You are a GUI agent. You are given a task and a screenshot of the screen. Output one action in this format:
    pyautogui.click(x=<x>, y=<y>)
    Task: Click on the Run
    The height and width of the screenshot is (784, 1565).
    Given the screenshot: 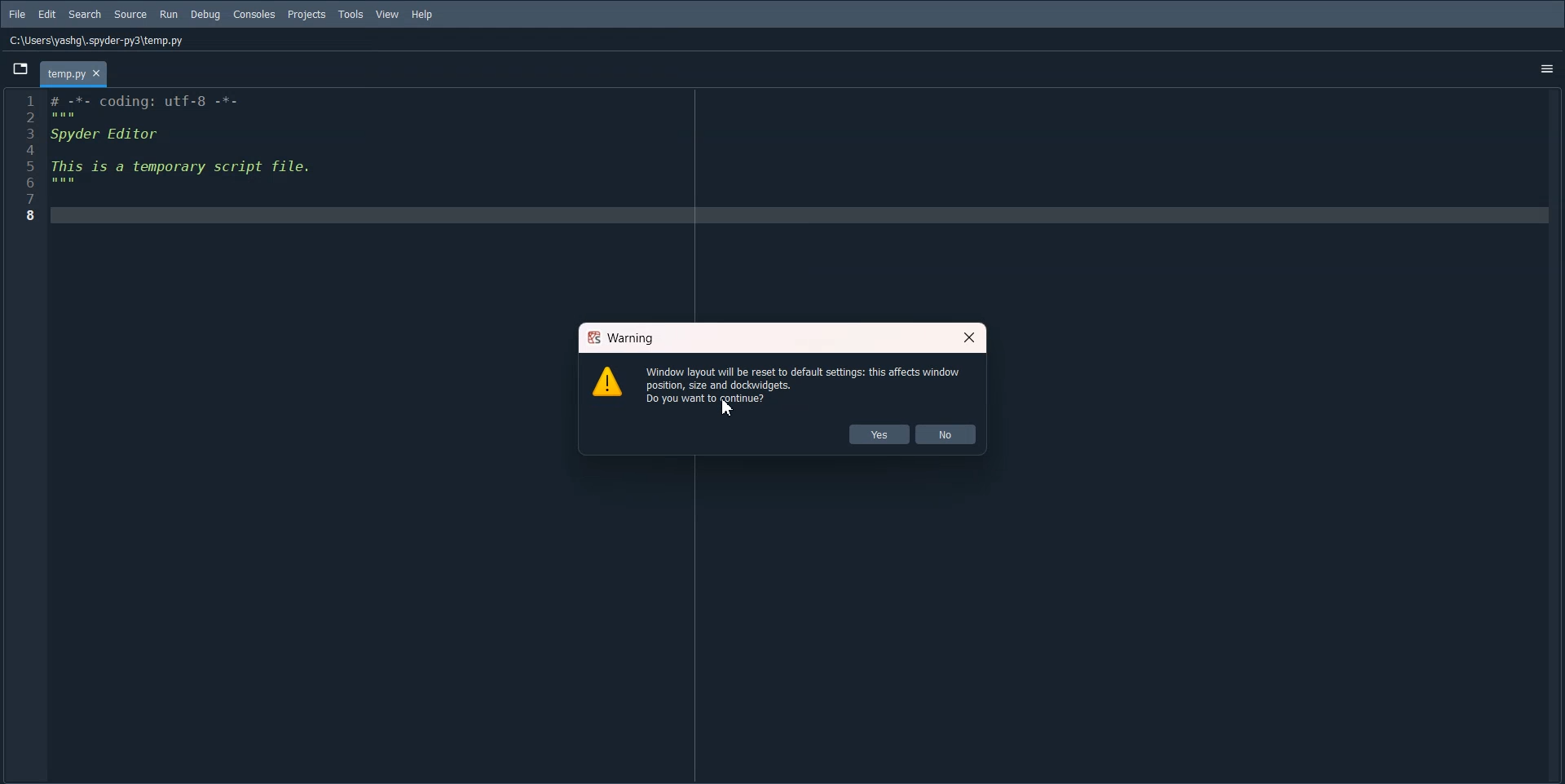 What is the action you would take?
    pyautogui.click(x=169, y=15)
    